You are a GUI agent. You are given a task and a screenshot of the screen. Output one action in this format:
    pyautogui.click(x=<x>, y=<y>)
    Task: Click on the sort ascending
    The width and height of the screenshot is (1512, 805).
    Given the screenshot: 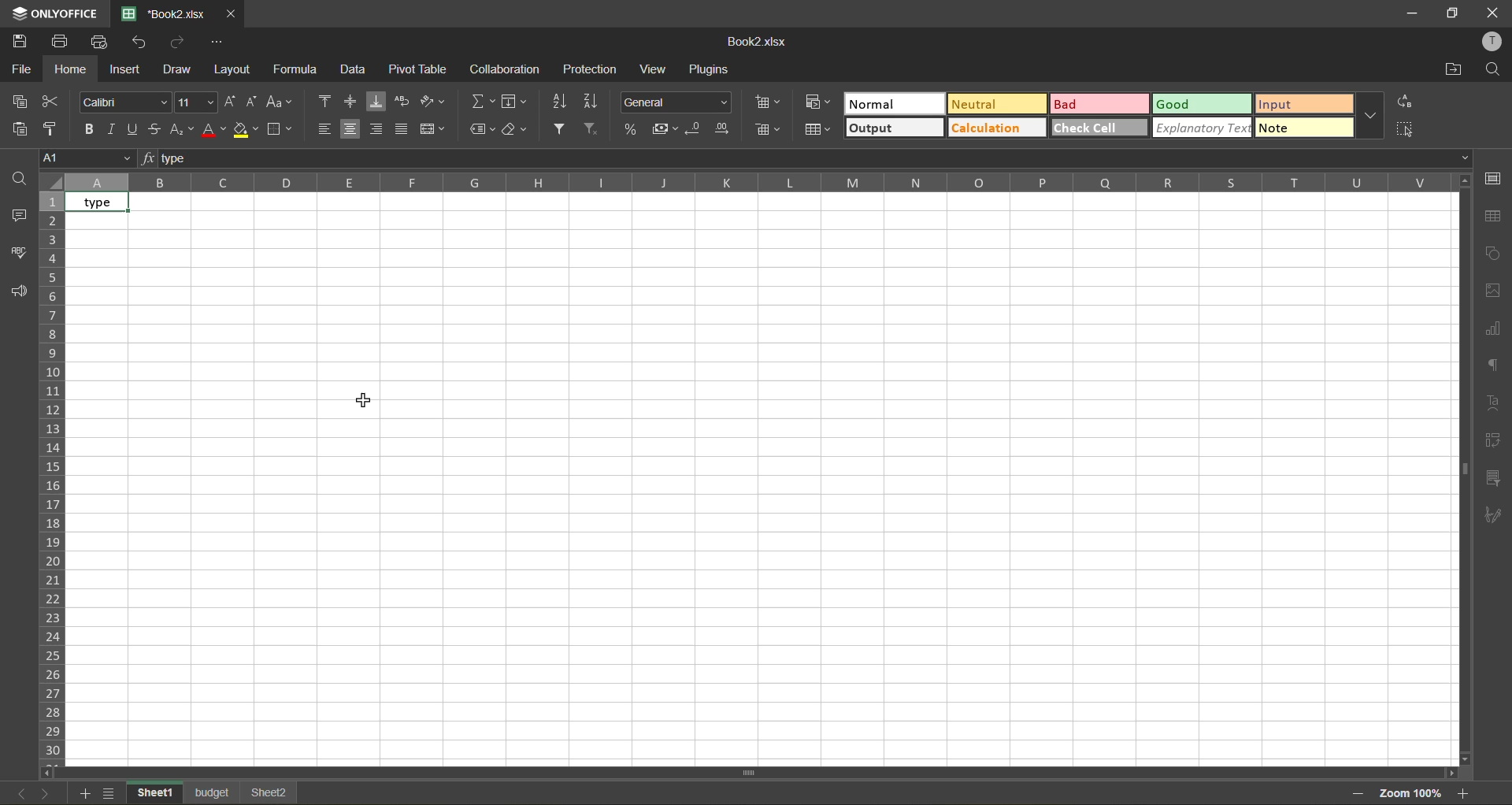 What is the action you would take?
    pyautogui.click(x=562, y=102)
    